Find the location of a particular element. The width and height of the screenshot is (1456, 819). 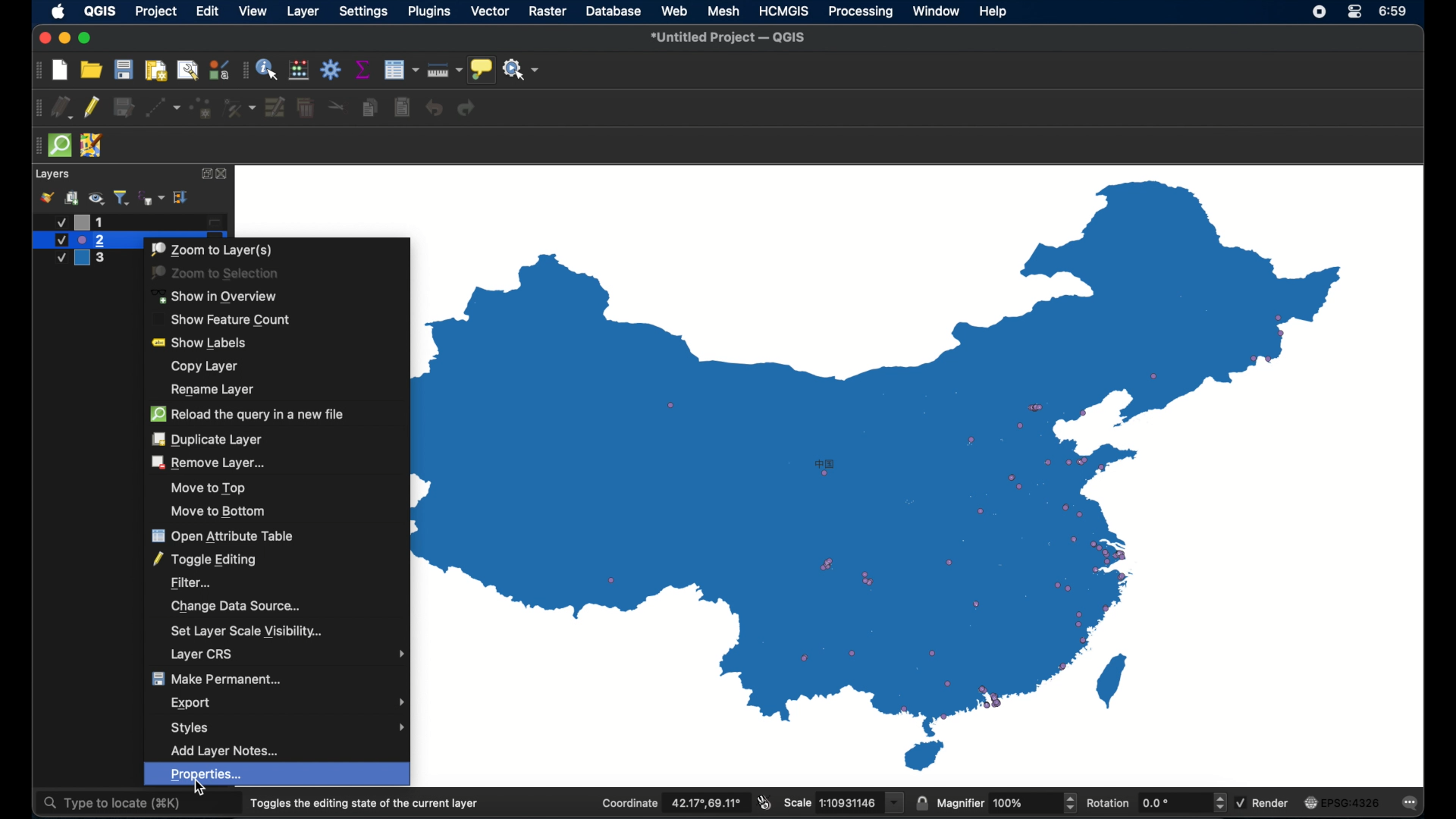

modify attributes is located at coordinates (275, 107).